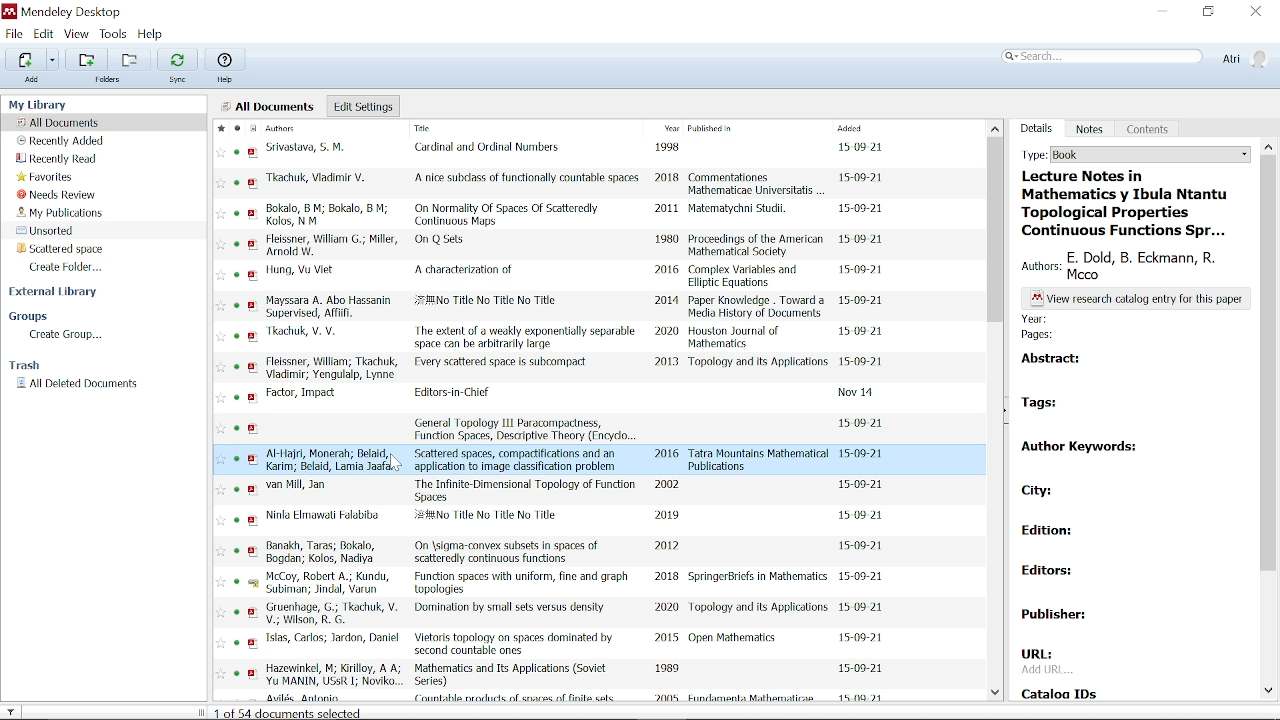 This screenshot has height=720, width=1280. I want to click on Unsorted, so click(50, 230).